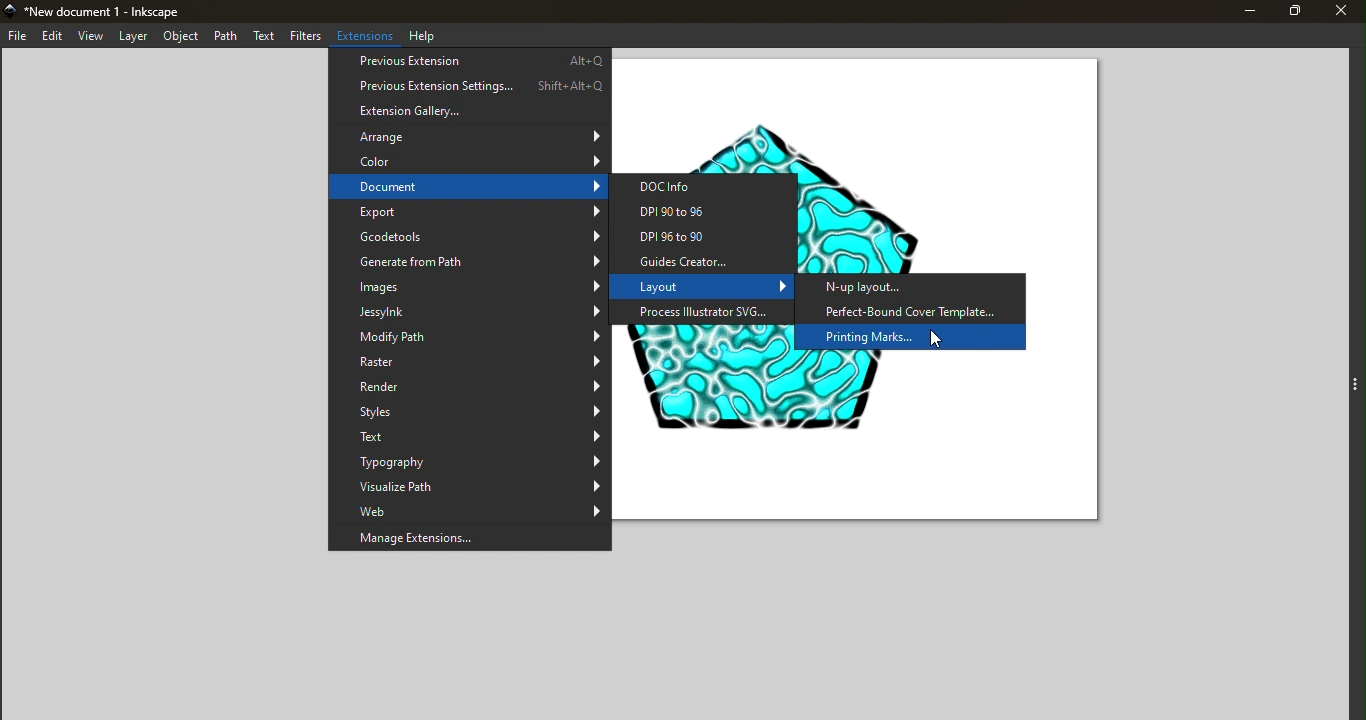  What do you see at coordinates (467, 262) in the screenshot?
I see `Generate from Path` at bounding box center [467, 262].